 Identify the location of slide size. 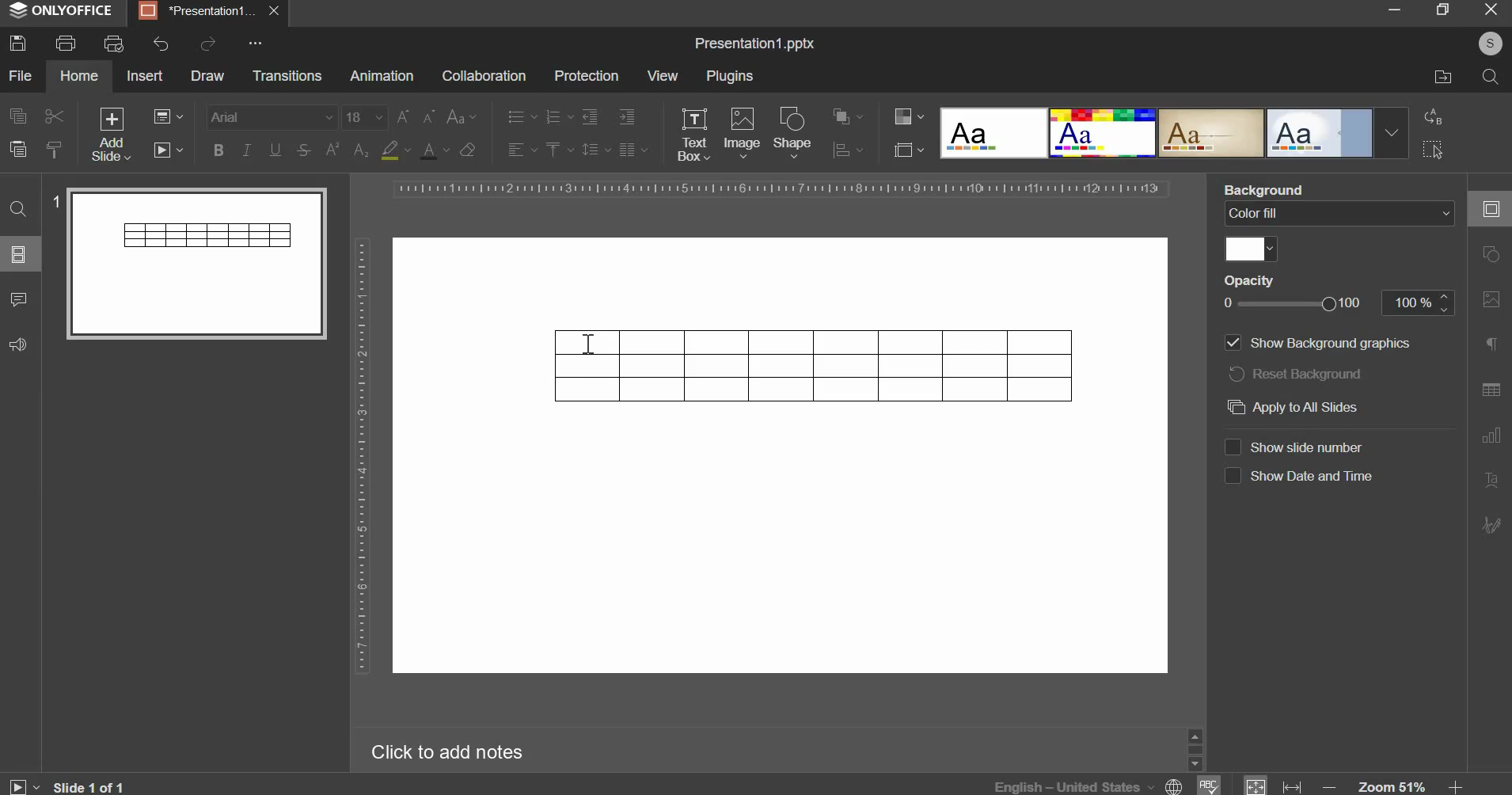
(908, 149).